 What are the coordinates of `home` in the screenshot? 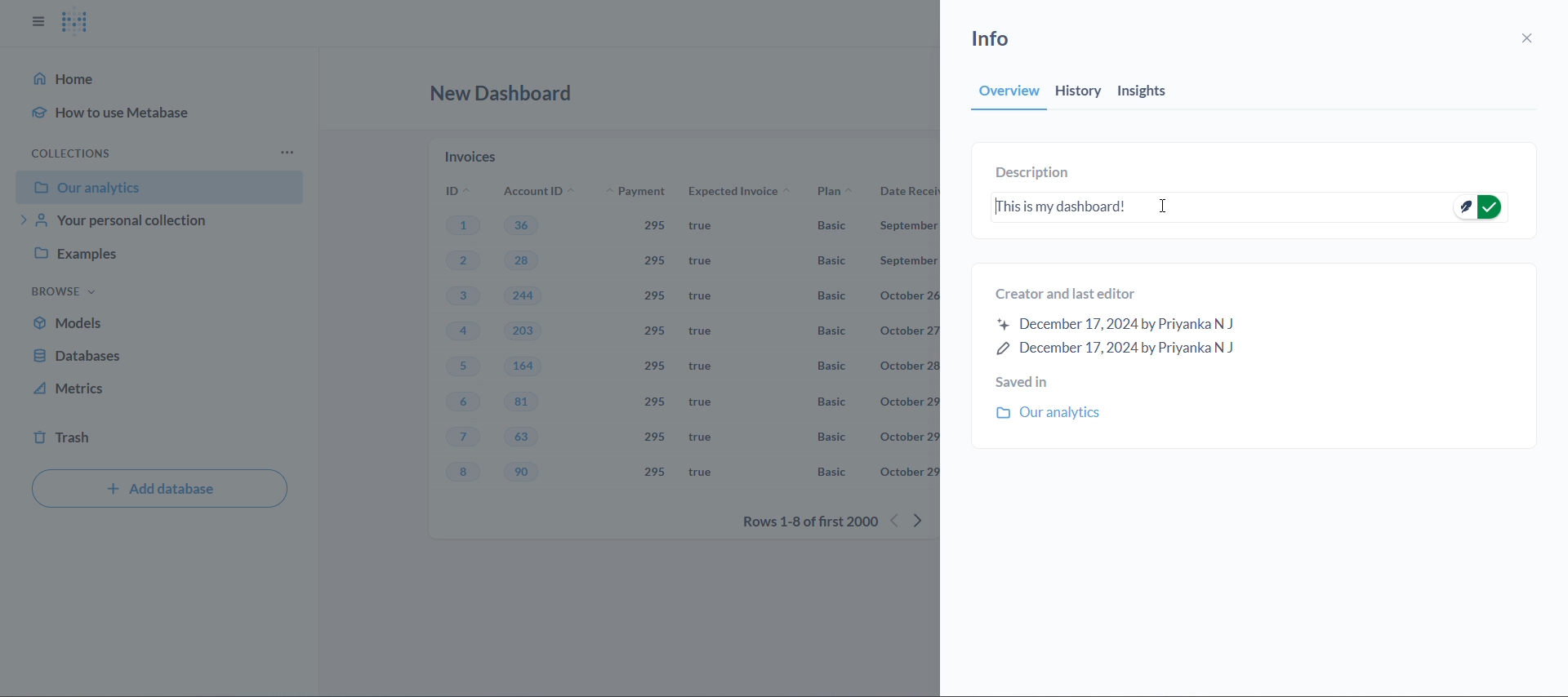 It's located at (70, 80).